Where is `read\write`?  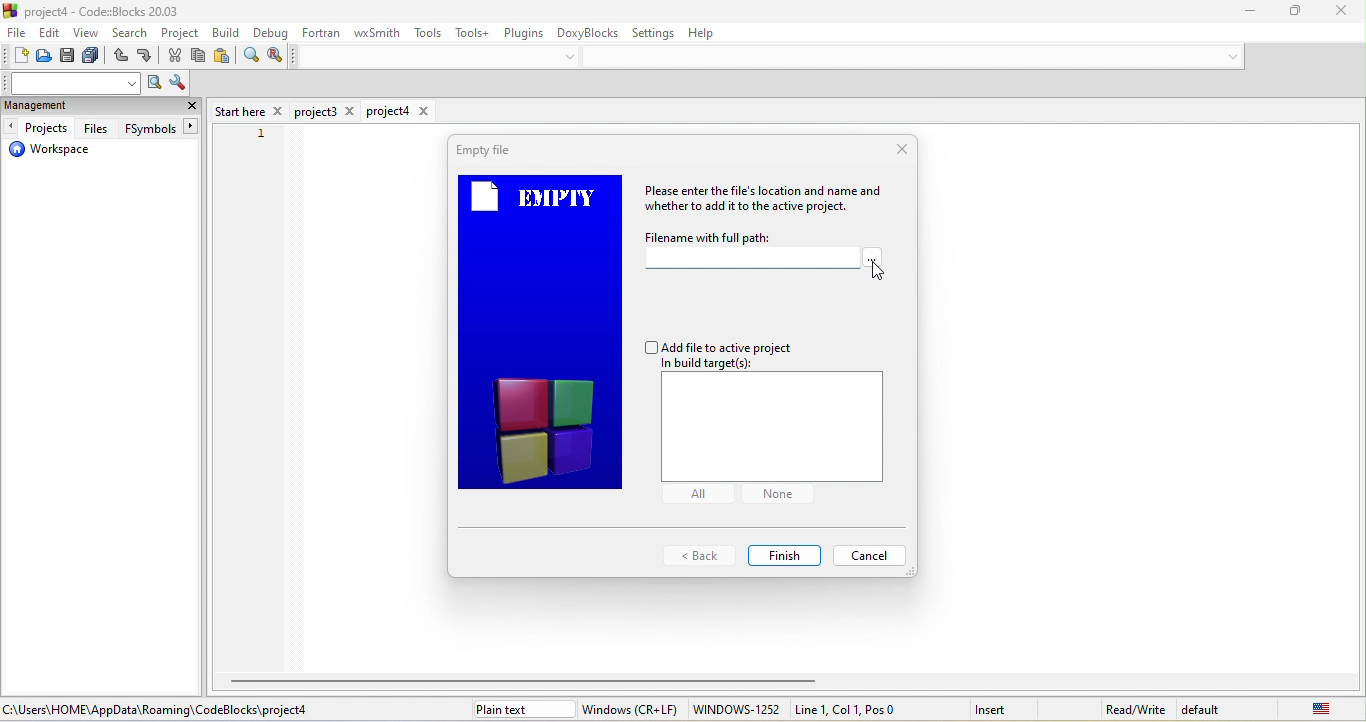
read\write is located at coordinates (1135, 706).